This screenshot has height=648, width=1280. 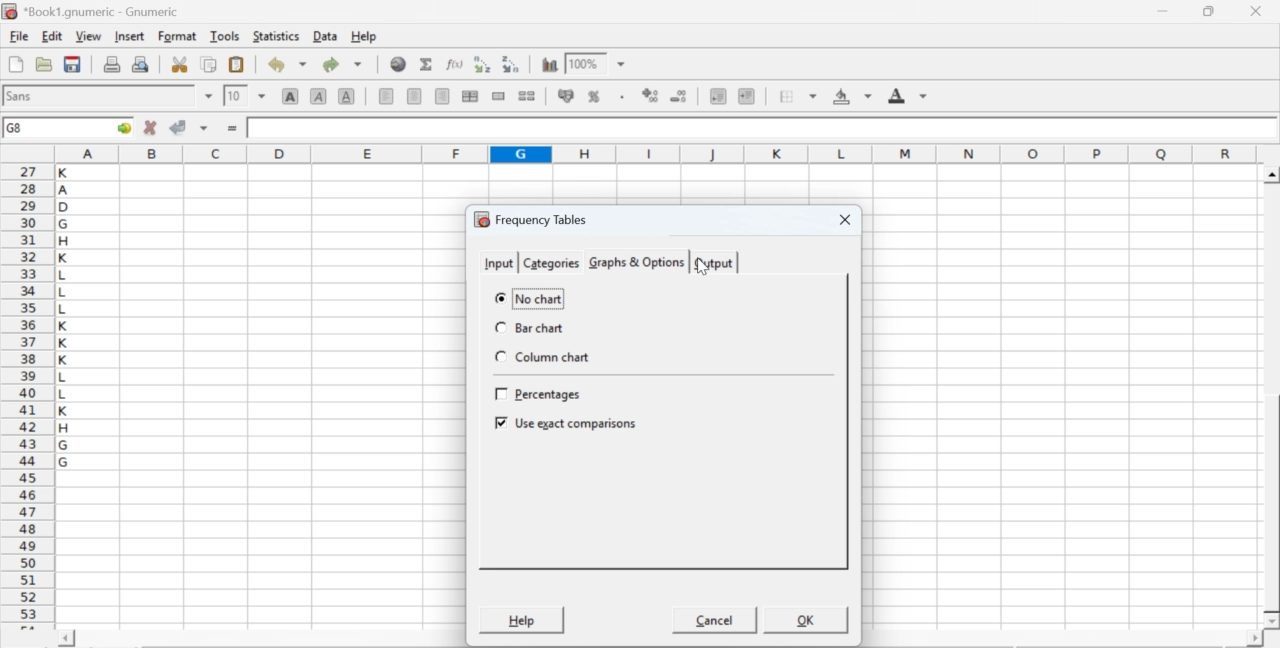 What do you see at coordinates (327, 35) in the screenshot?
I see `data` at bounding box center [327, 35].